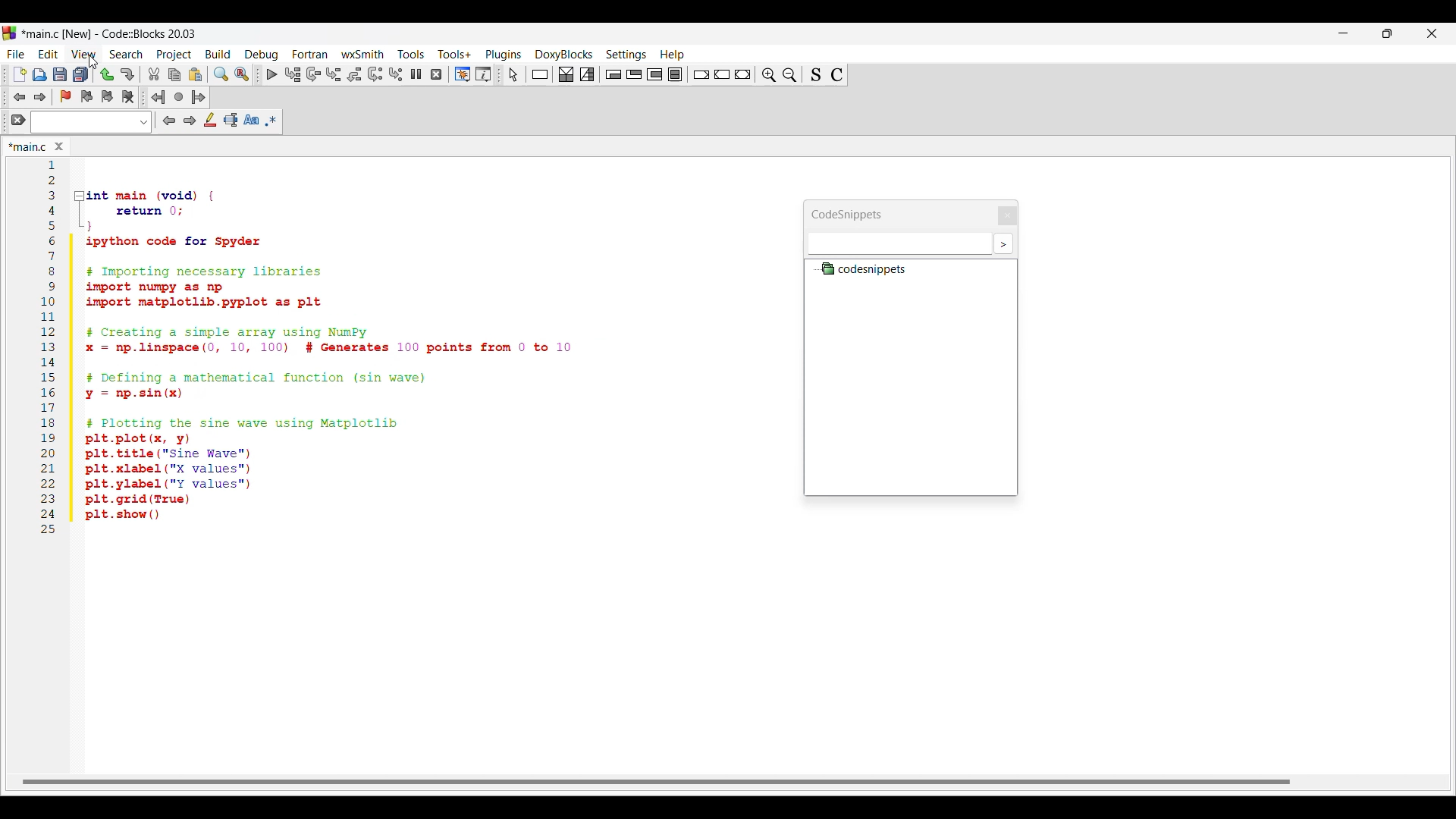 Image resolution: width=1456 pixels, height=819 pixels. Describe the element at coordinates (566, 74) in the screenshot. I see `Decision` at that location.